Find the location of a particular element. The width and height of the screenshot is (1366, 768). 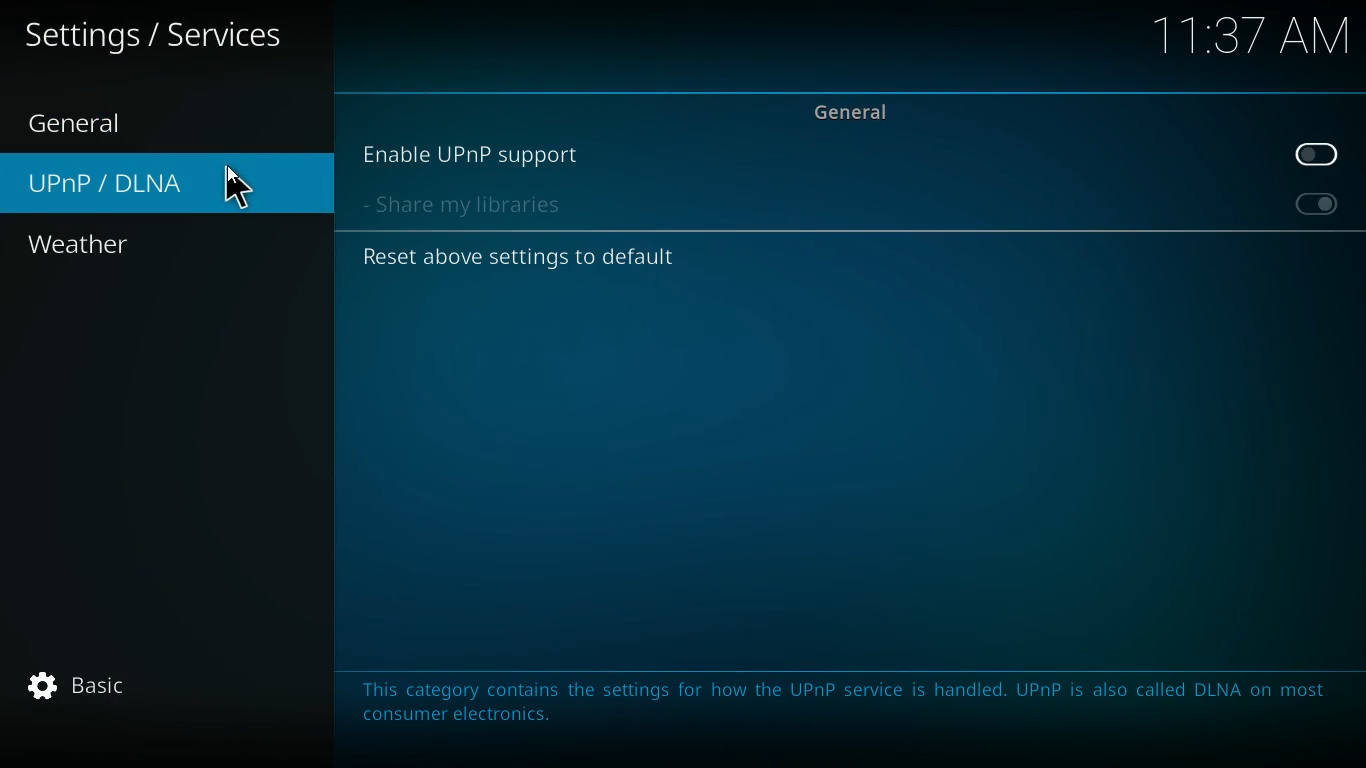

cursor is located at coordinates (239, 187).